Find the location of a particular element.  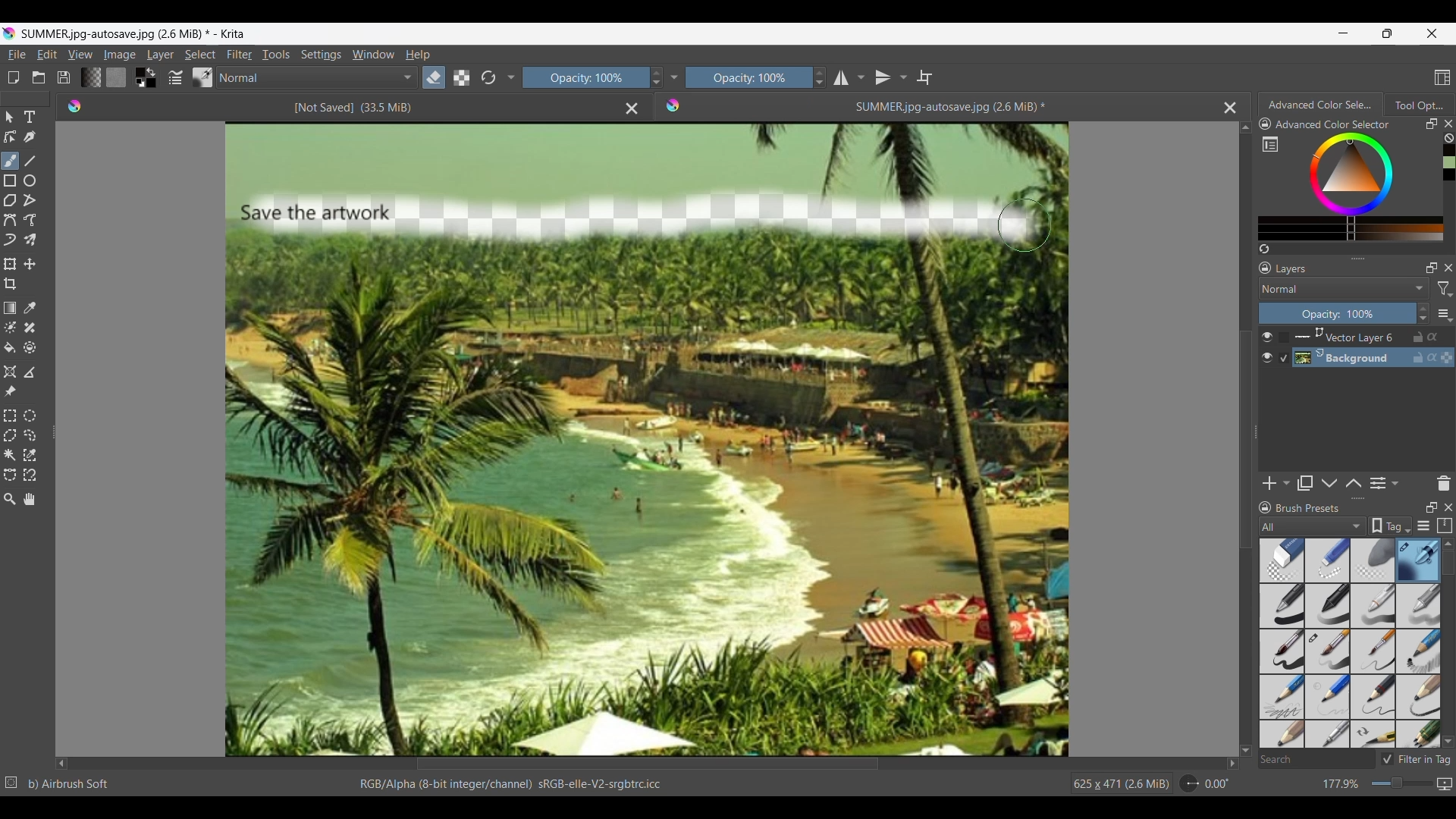

Move layer down is located at coordinates (1329, 483).